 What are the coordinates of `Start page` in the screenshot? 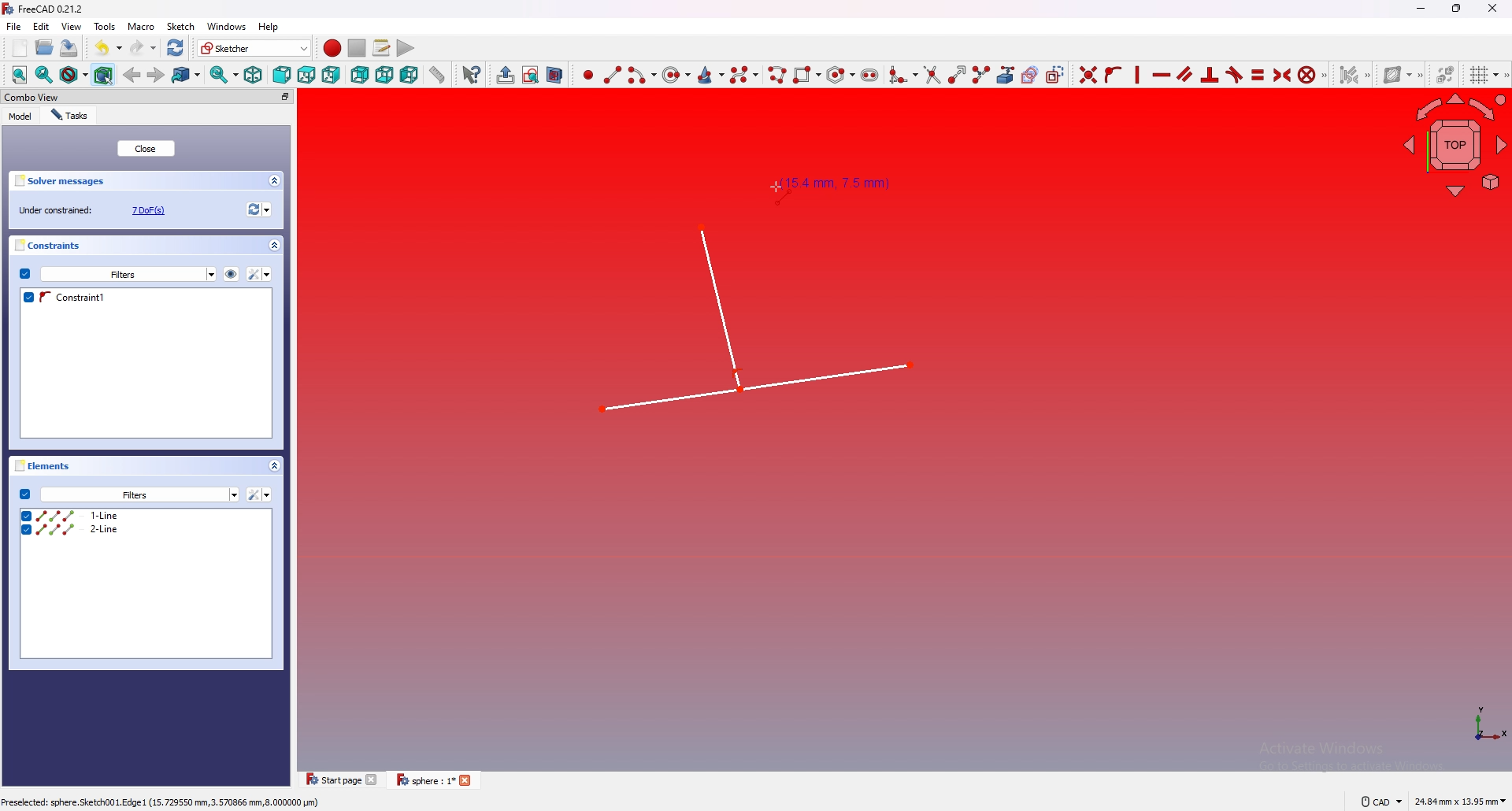 It's located at (340, 780).